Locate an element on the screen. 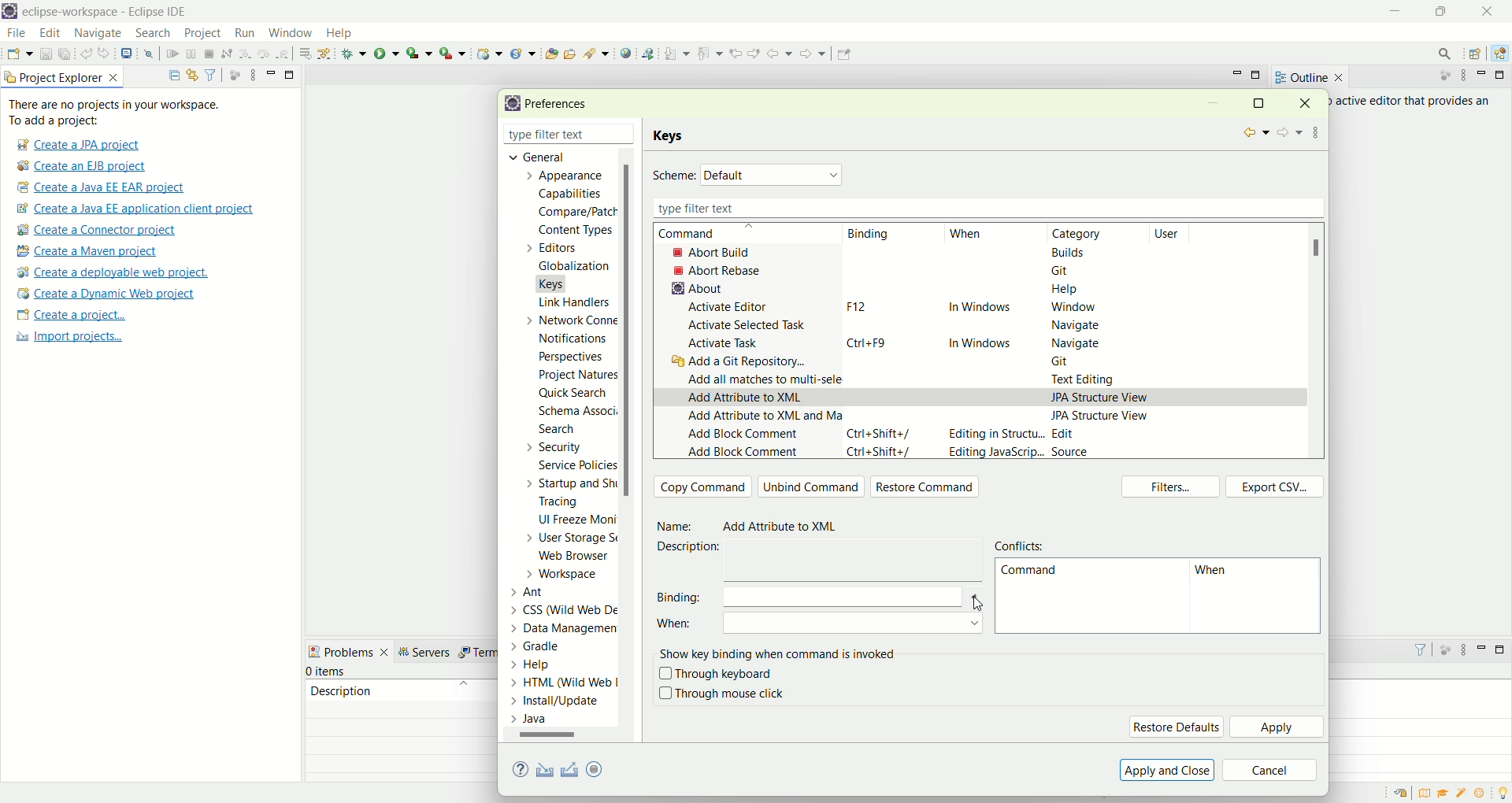  maximize is located at coordinates (1258, 102).